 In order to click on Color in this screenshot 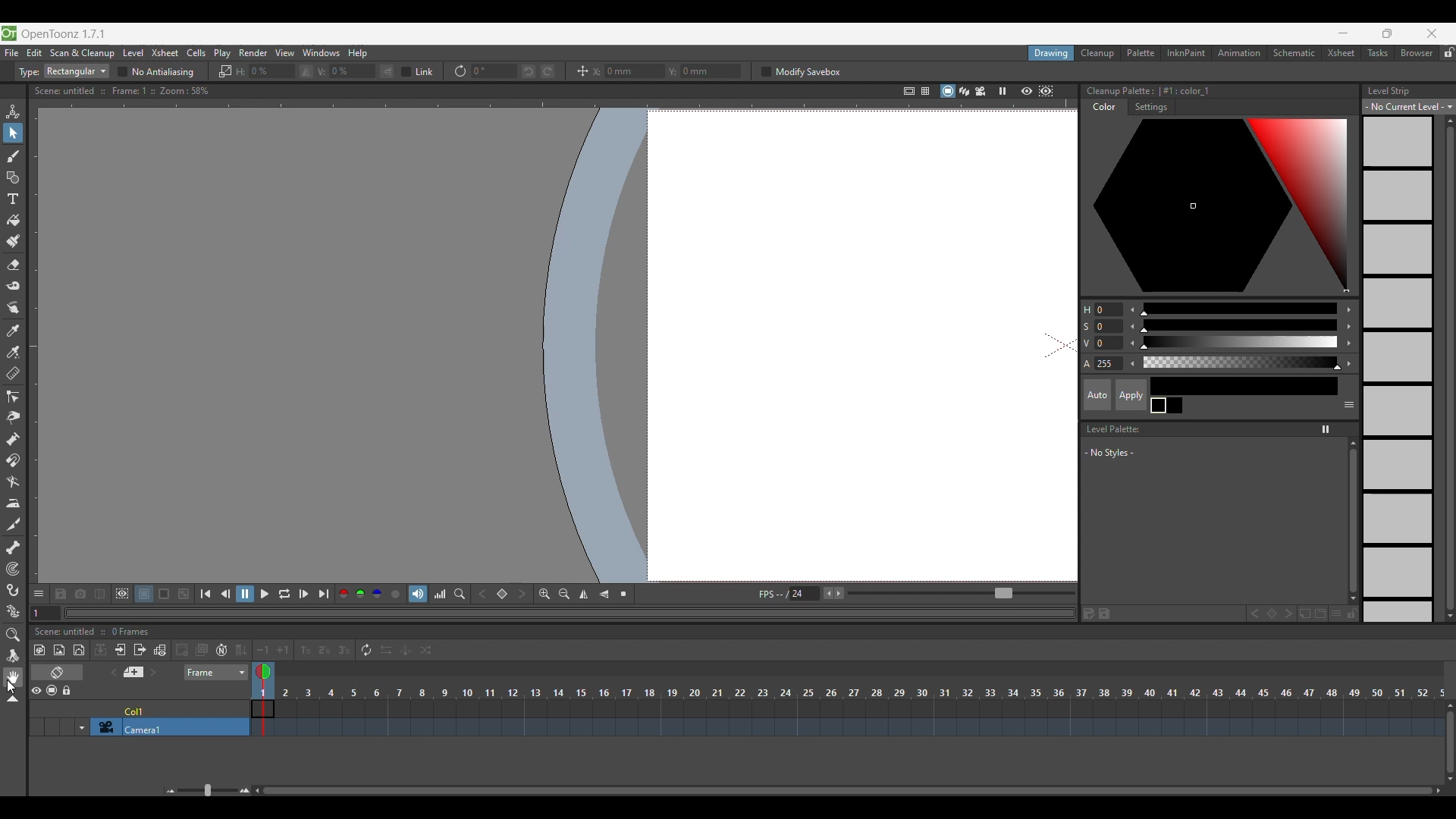, I will do `click(1104, 107)`.